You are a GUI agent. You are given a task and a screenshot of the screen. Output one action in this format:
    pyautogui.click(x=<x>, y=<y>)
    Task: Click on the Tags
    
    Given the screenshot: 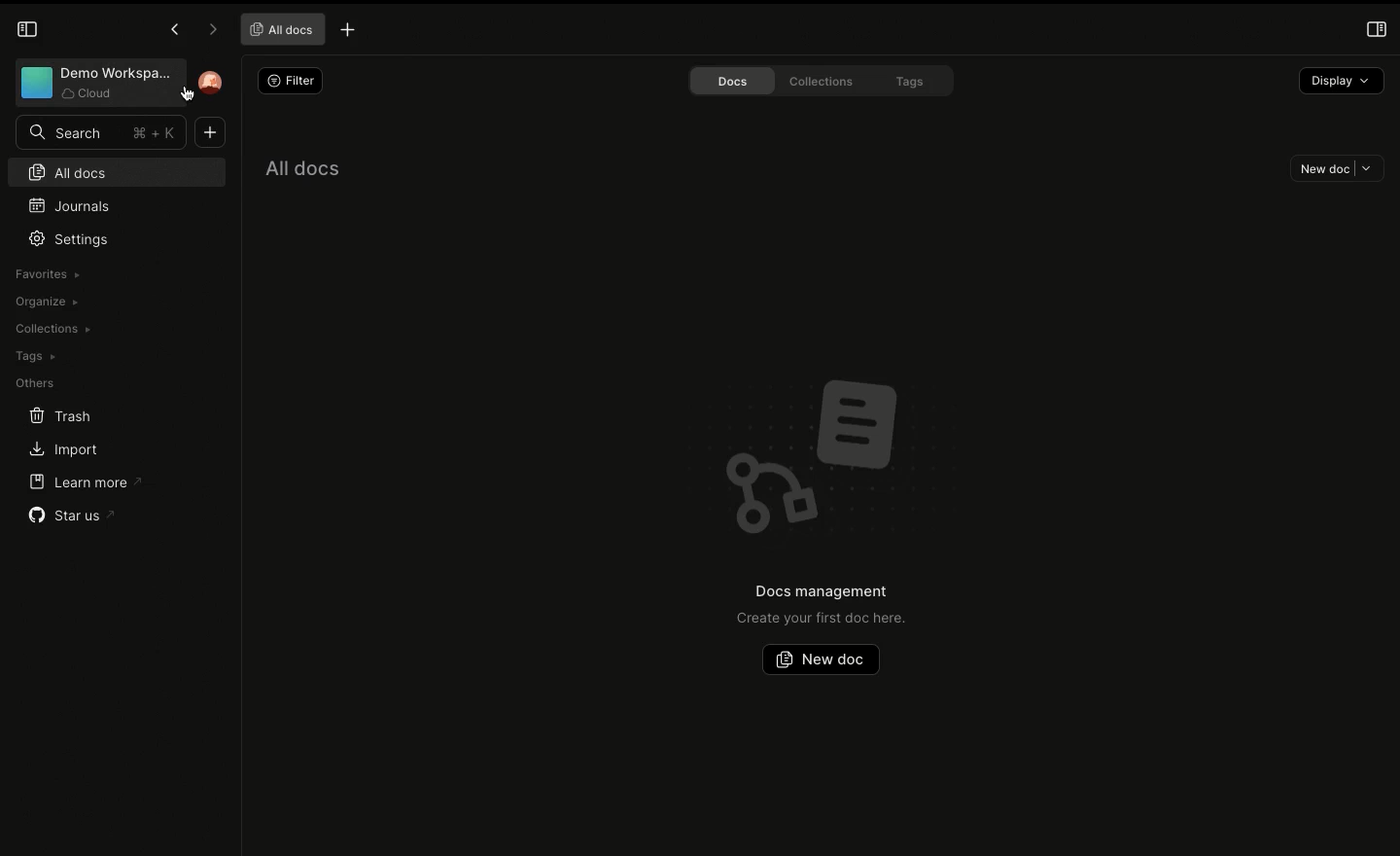 What is the action you would take?
    pyautogui.click(x=35, y=356)
    